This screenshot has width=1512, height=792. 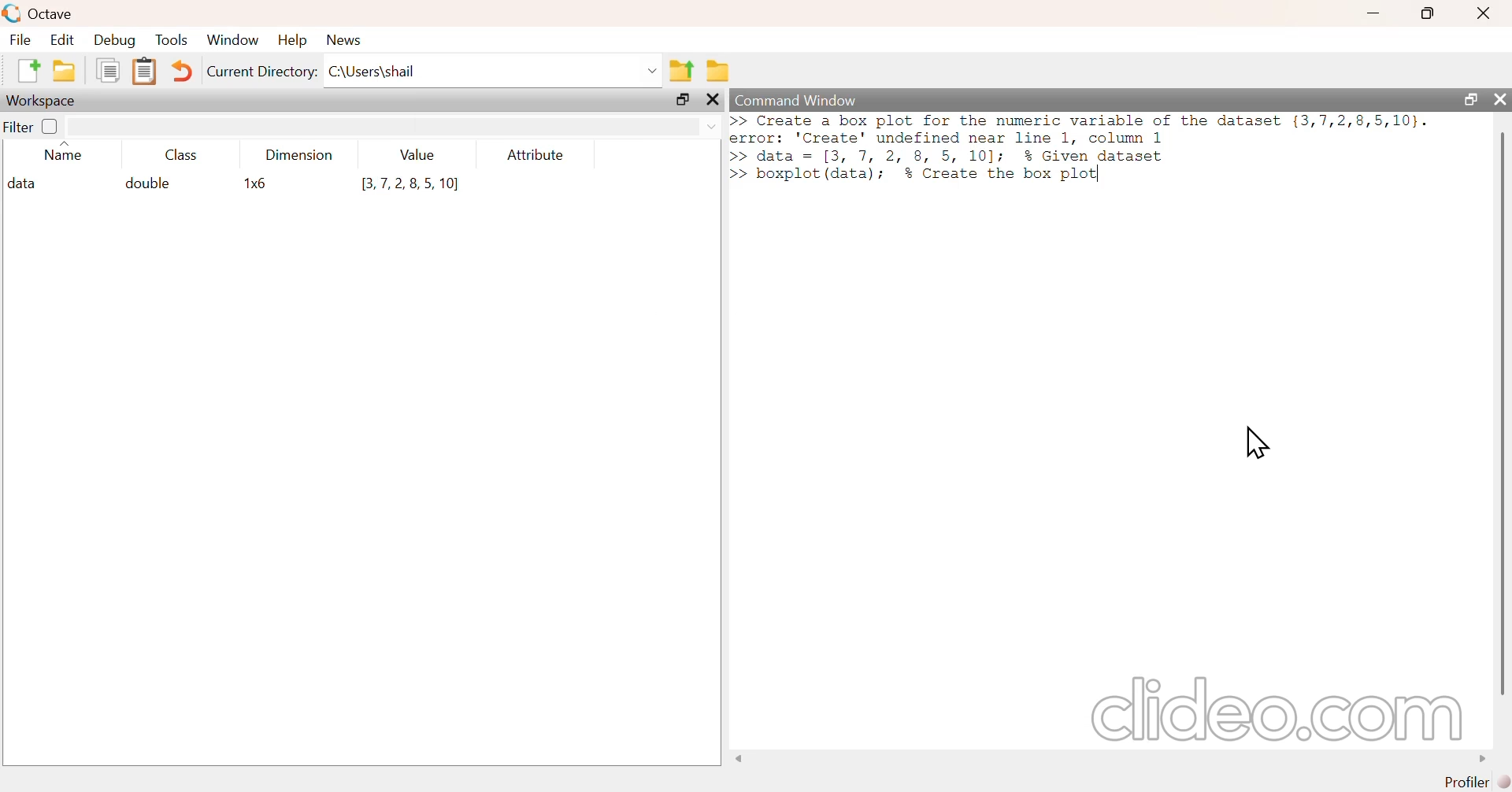 I want to click on data = (3, 7, 2, 8, 5, 10]; % Given dataset, so click(x=961, y=156).